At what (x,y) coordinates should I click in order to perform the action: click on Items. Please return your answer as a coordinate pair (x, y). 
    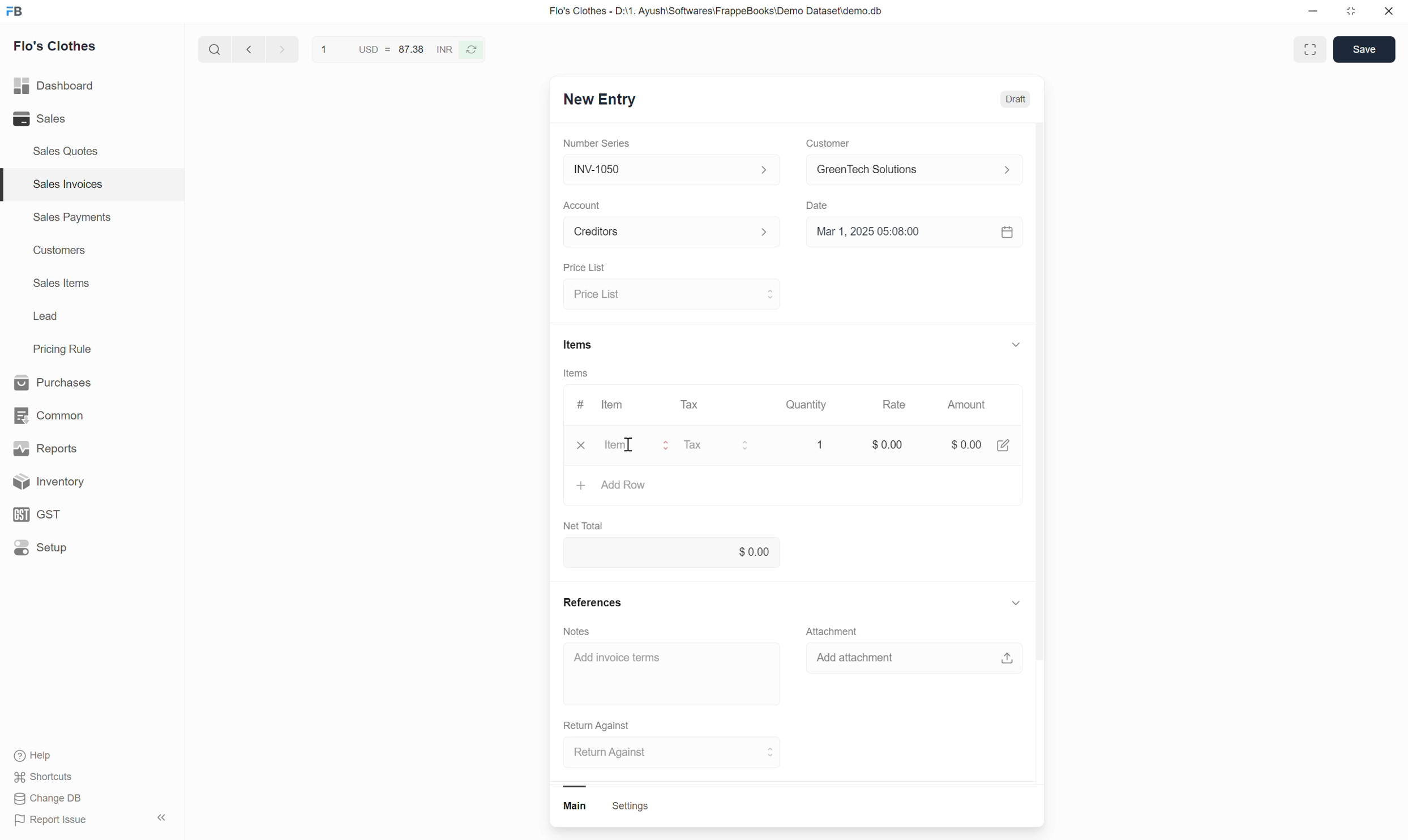
    Looking at the image, I should click on (576, 375).